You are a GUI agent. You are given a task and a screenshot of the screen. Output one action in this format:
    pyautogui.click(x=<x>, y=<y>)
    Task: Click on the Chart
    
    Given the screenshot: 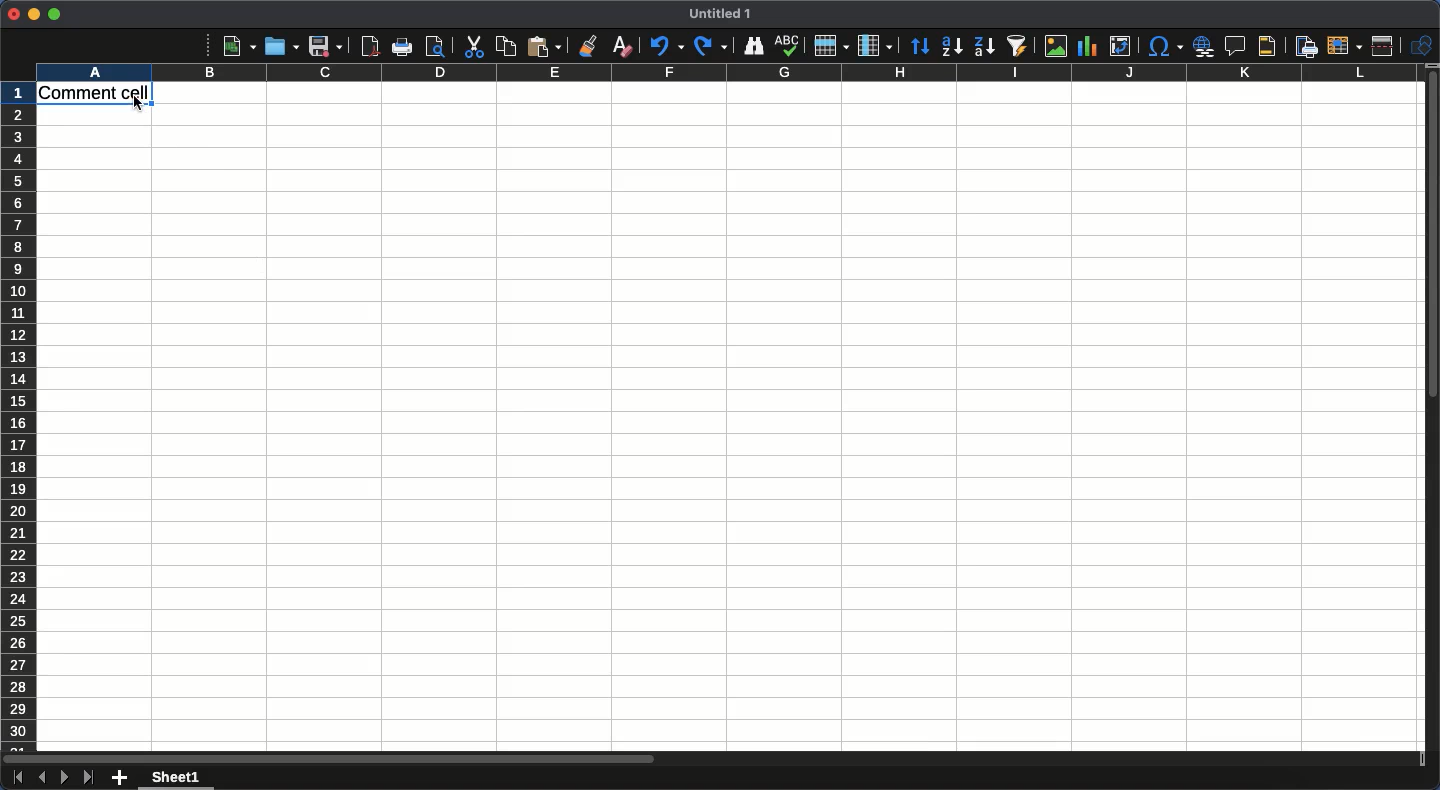 What is the action you would take?
    pyautogui.click(x=1086, y=45)
    